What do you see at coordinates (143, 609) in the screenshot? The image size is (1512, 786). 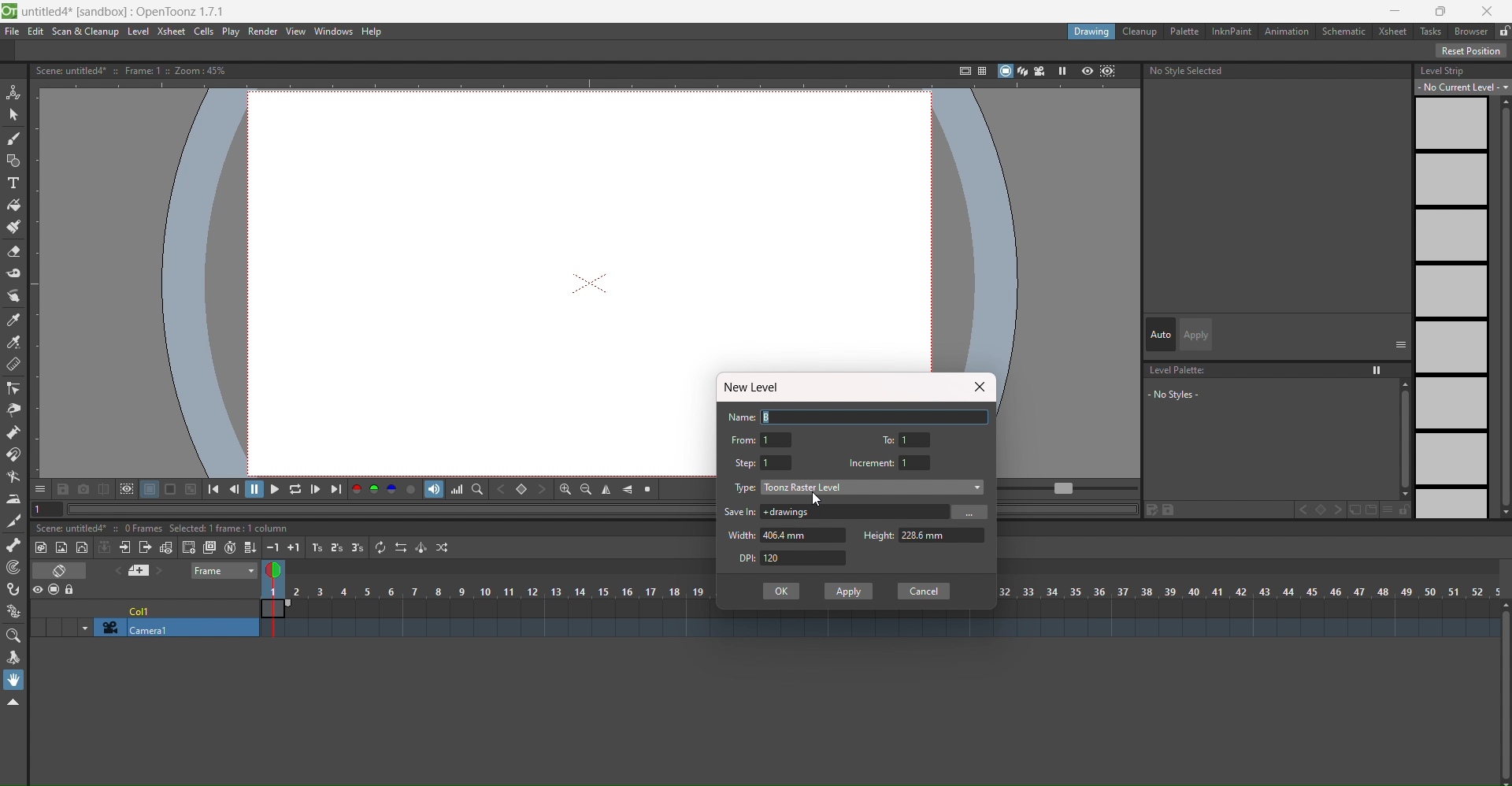 I see `cell` at bounding box center [143, 609].